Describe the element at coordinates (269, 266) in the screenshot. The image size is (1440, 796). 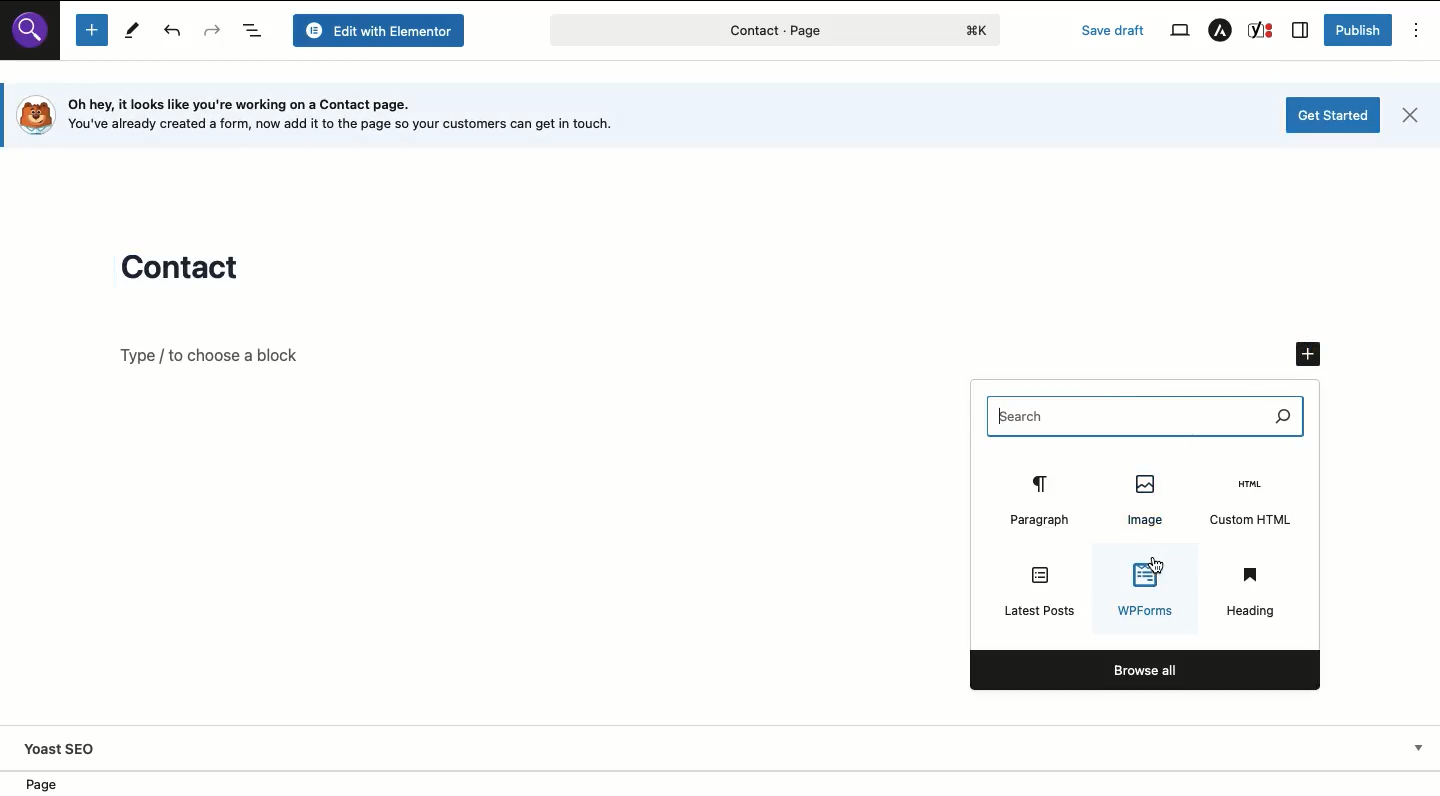
I see `Contact` at that location.